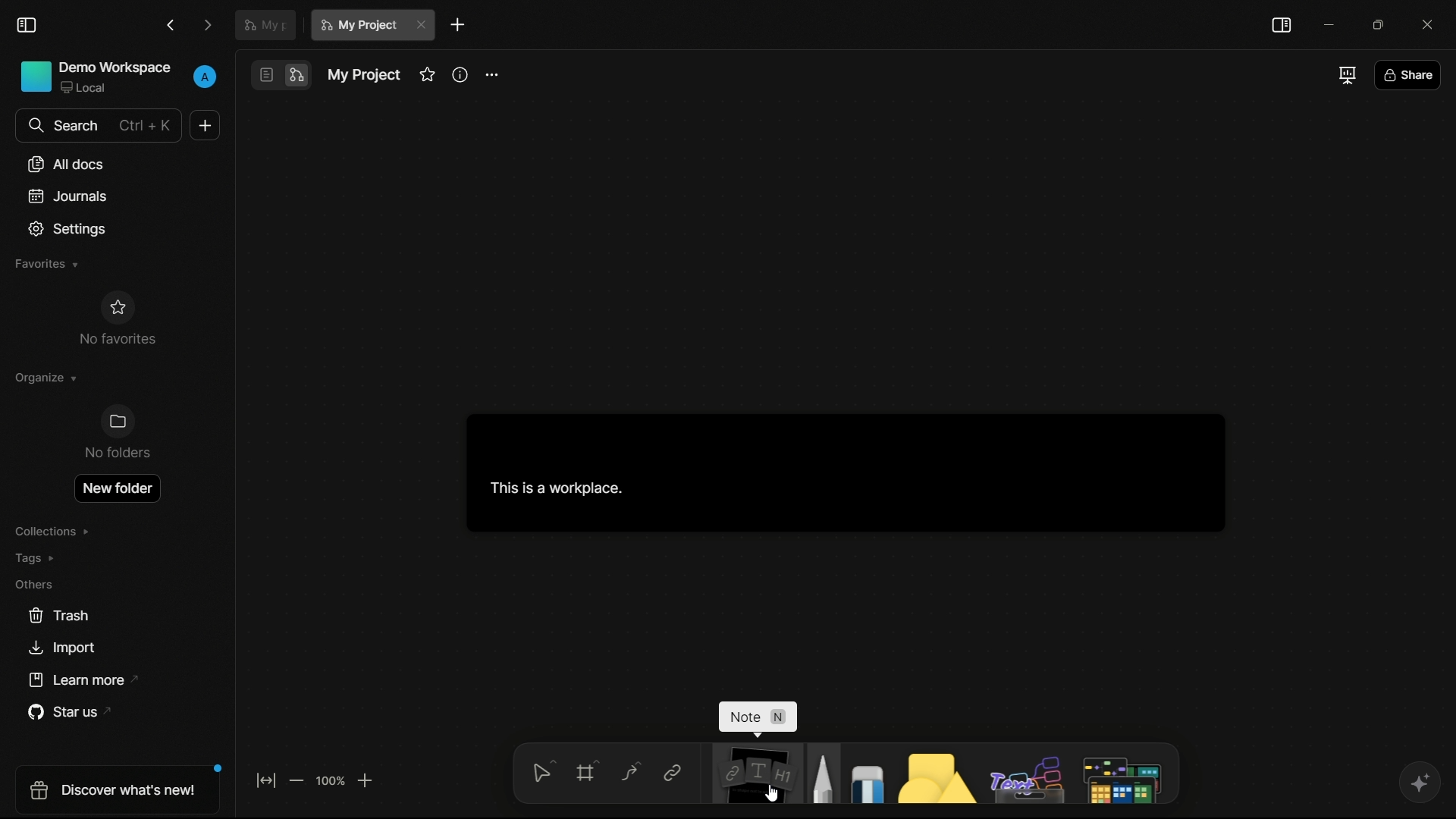  What do you see at coordinates (297, 76) in the screenshot?
I see `edgeless mode` at bounding box center [297, 76].